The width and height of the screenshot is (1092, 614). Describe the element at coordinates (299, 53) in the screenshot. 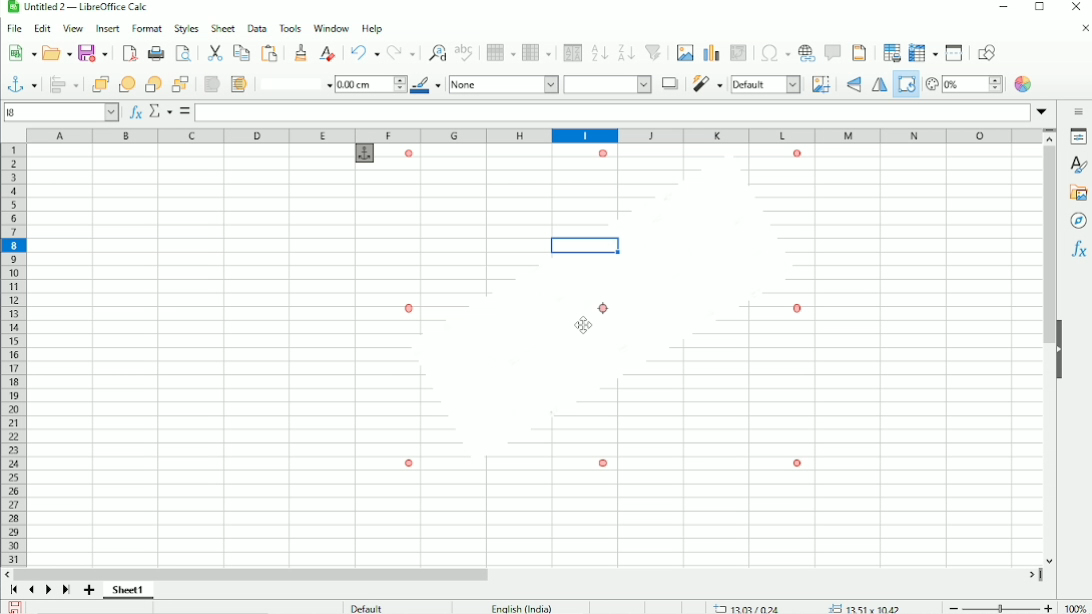

I see `Clone formatting` at that location.